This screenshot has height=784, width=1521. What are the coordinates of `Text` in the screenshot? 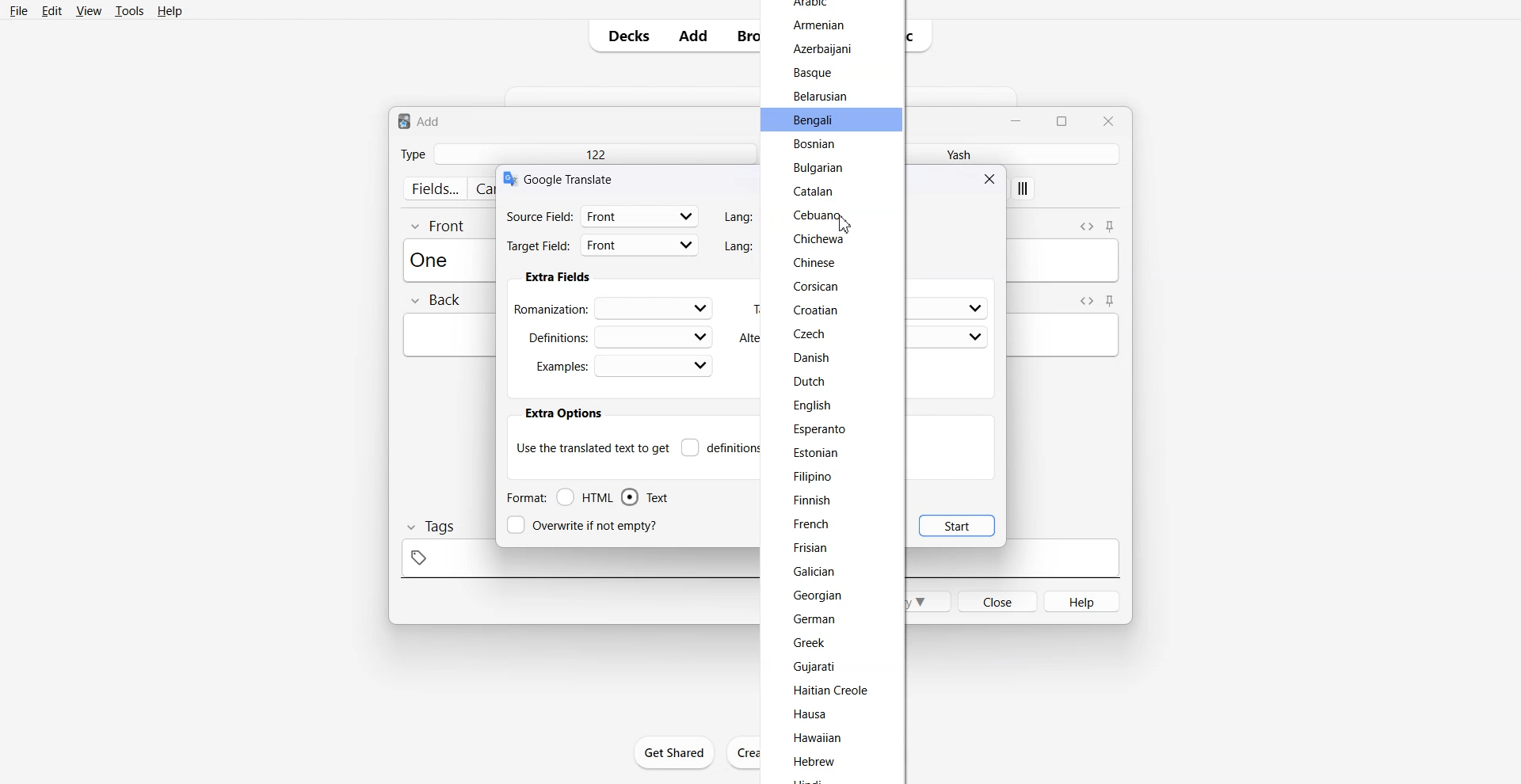 It's located at (571, 178).